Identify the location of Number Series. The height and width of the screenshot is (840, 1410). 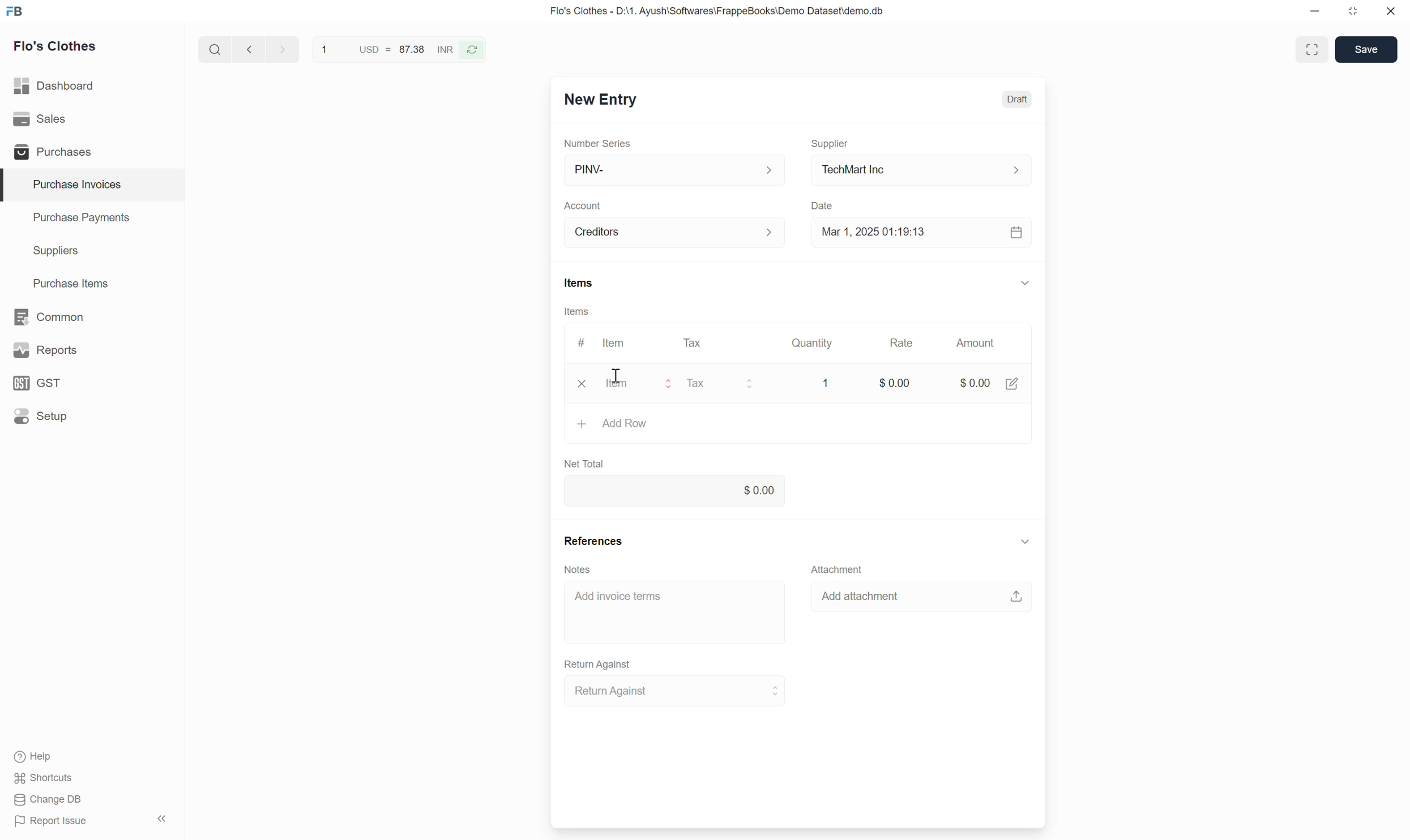
(604, 142).